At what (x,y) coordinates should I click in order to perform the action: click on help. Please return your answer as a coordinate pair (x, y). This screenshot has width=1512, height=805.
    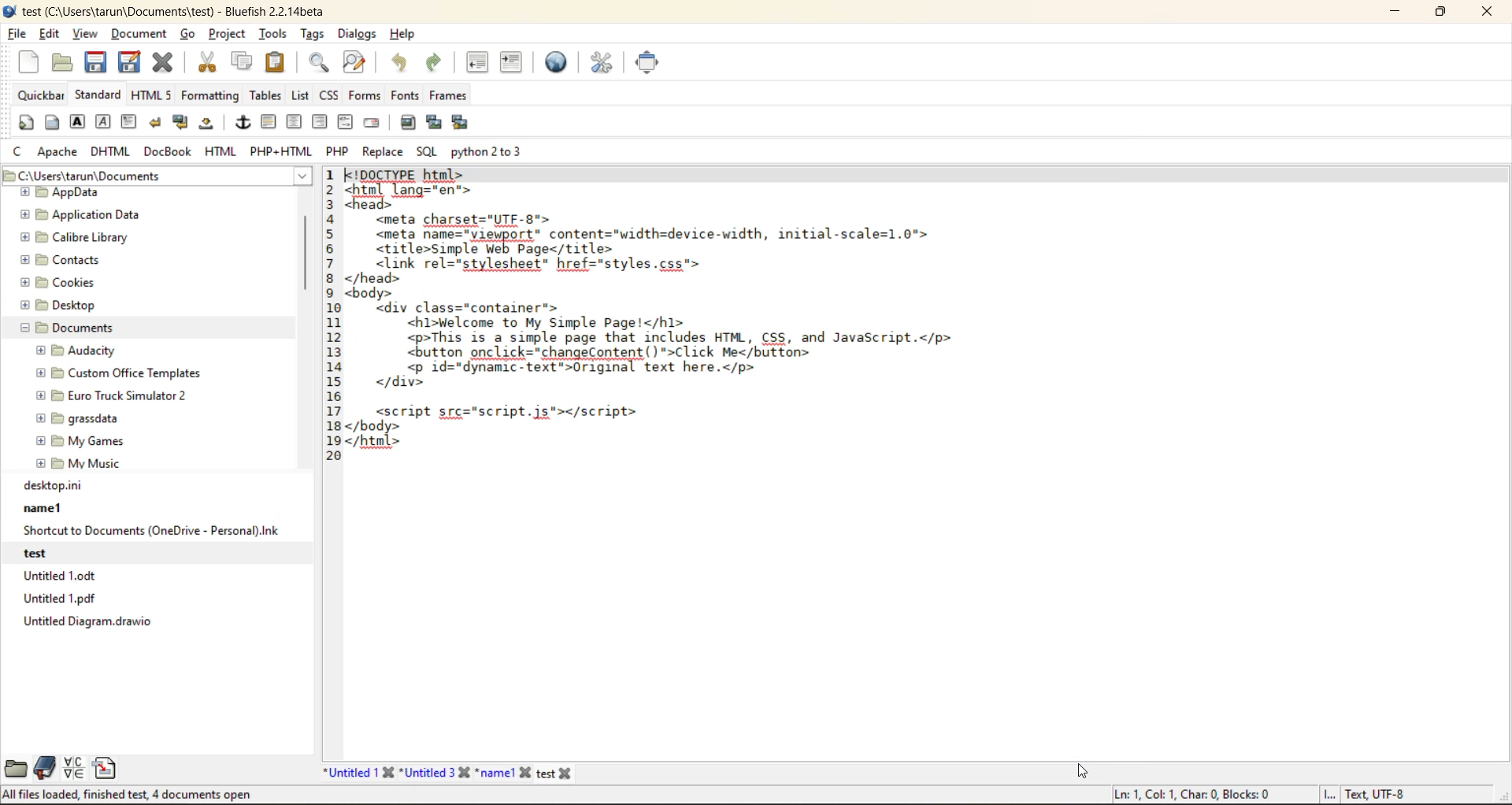
    Looking at the image, I should click on (402, 34).